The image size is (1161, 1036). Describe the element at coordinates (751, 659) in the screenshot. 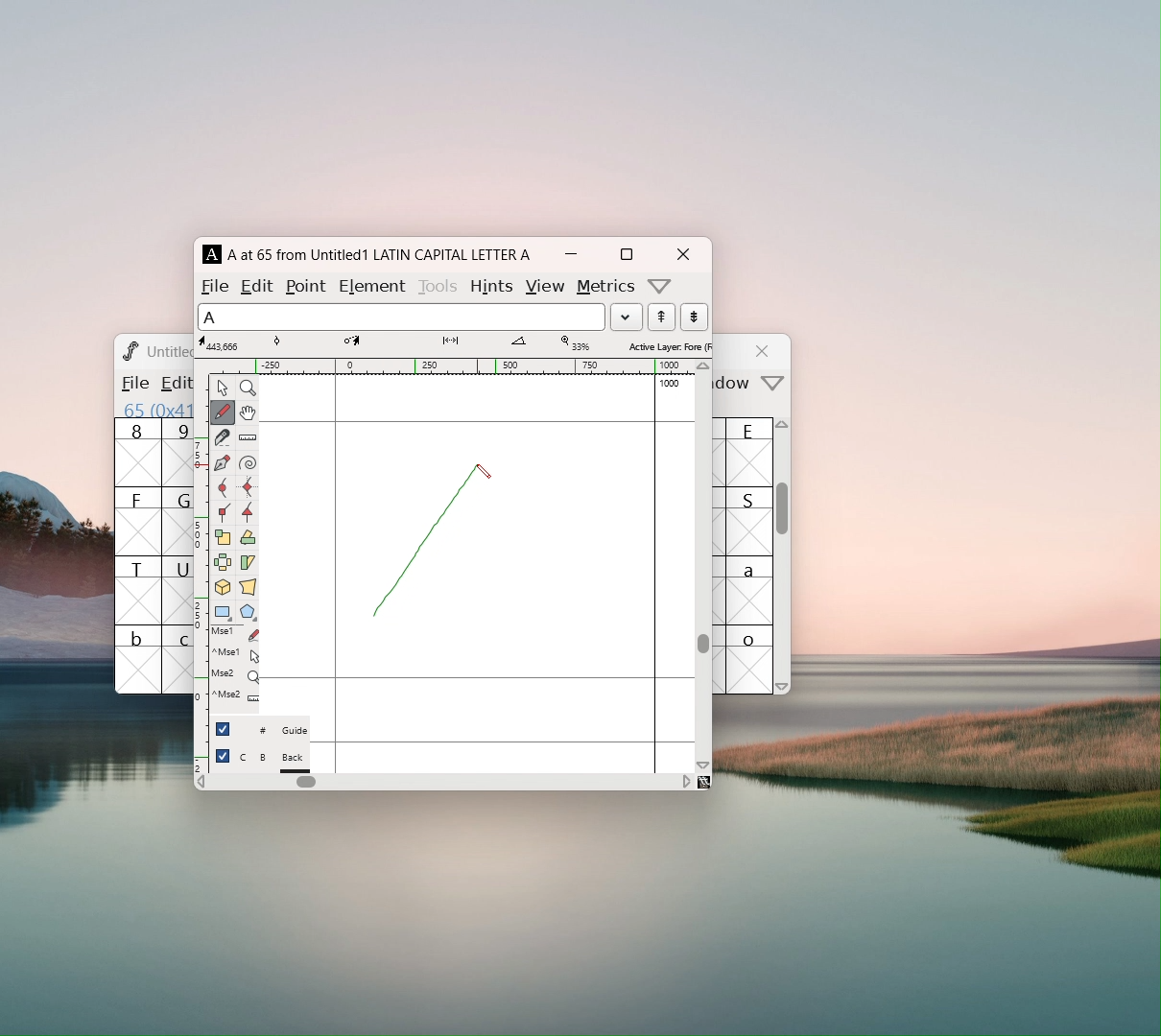

I see `o` at that location.